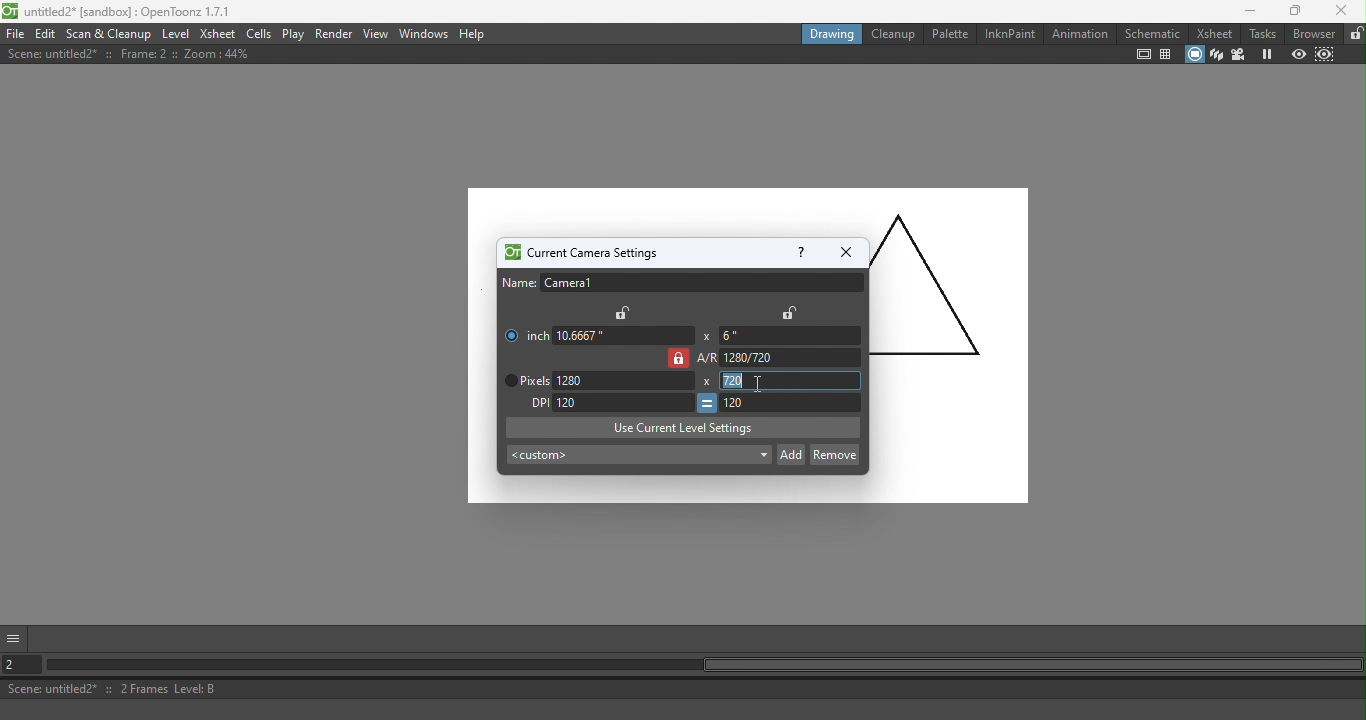 The image size is (1366, 720). Describe the element at coordinates (829, 33) in the screenshot. I see `Drawing` at that location.